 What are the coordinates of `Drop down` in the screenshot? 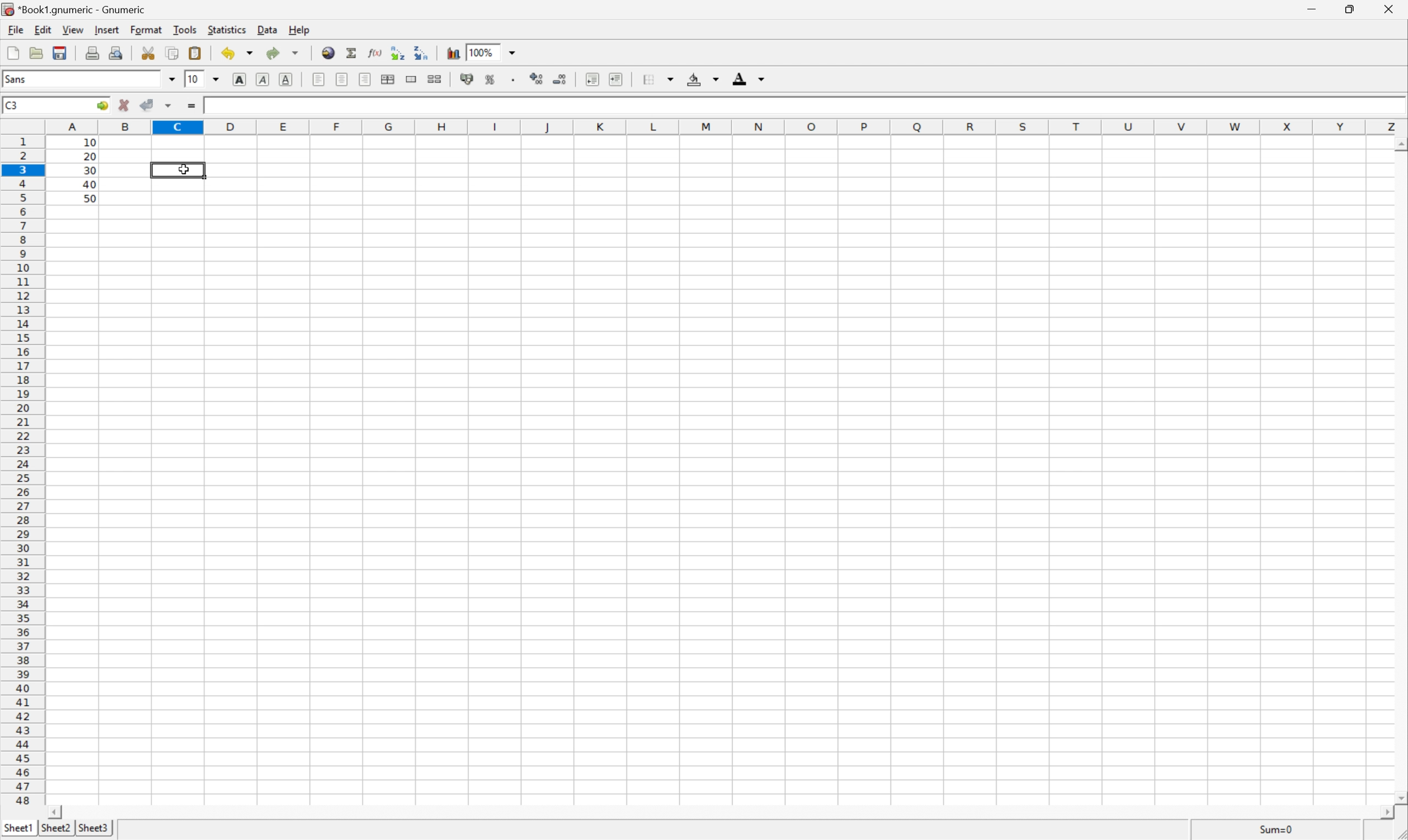 It's located at (670, 78).